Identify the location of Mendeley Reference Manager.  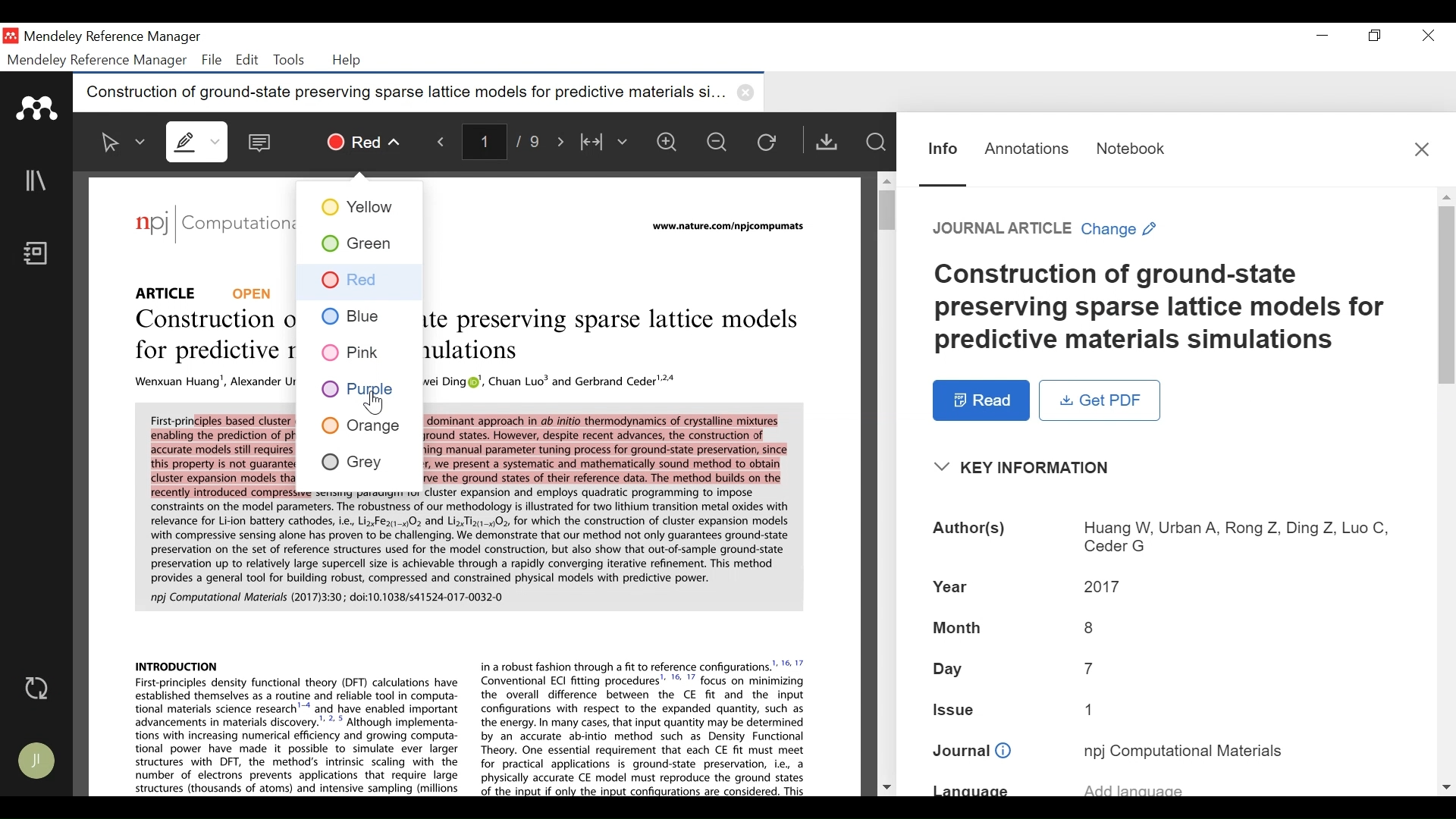
(97, 60).